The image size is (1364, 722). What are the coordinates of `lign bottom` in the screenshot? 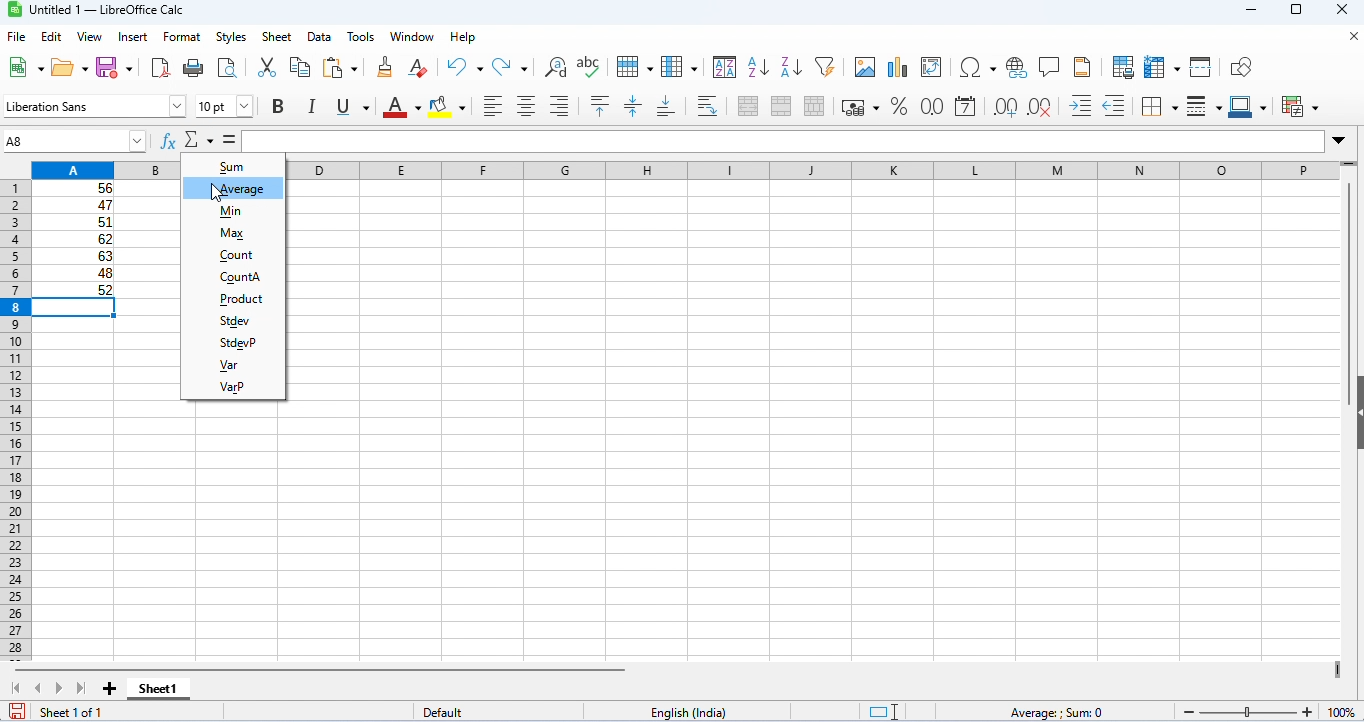 It's located at (666, 107).